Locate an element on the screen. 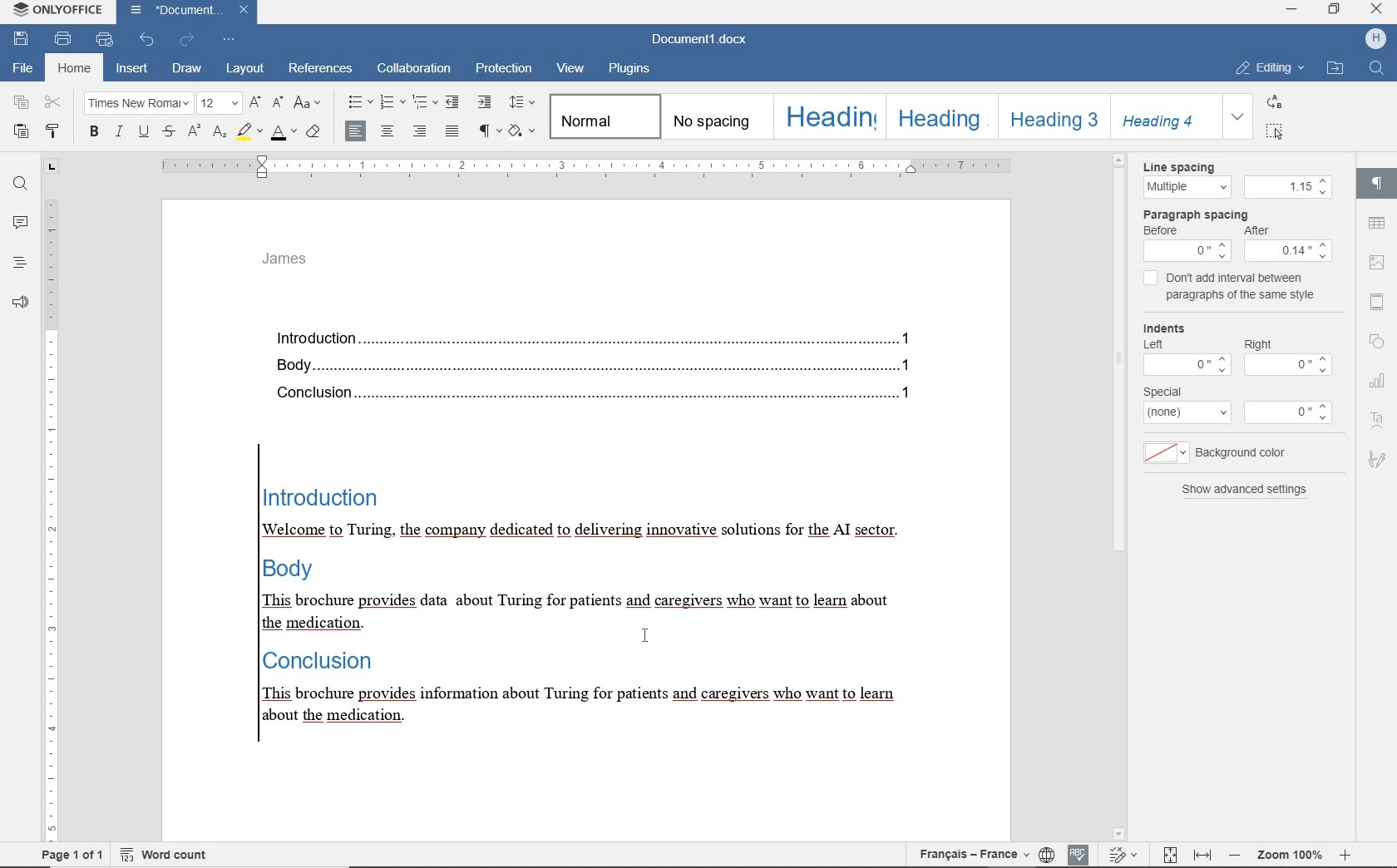 Image resolution: width=1397 pixels, height=868 pixels. cut is located at coordinates (54, 103).